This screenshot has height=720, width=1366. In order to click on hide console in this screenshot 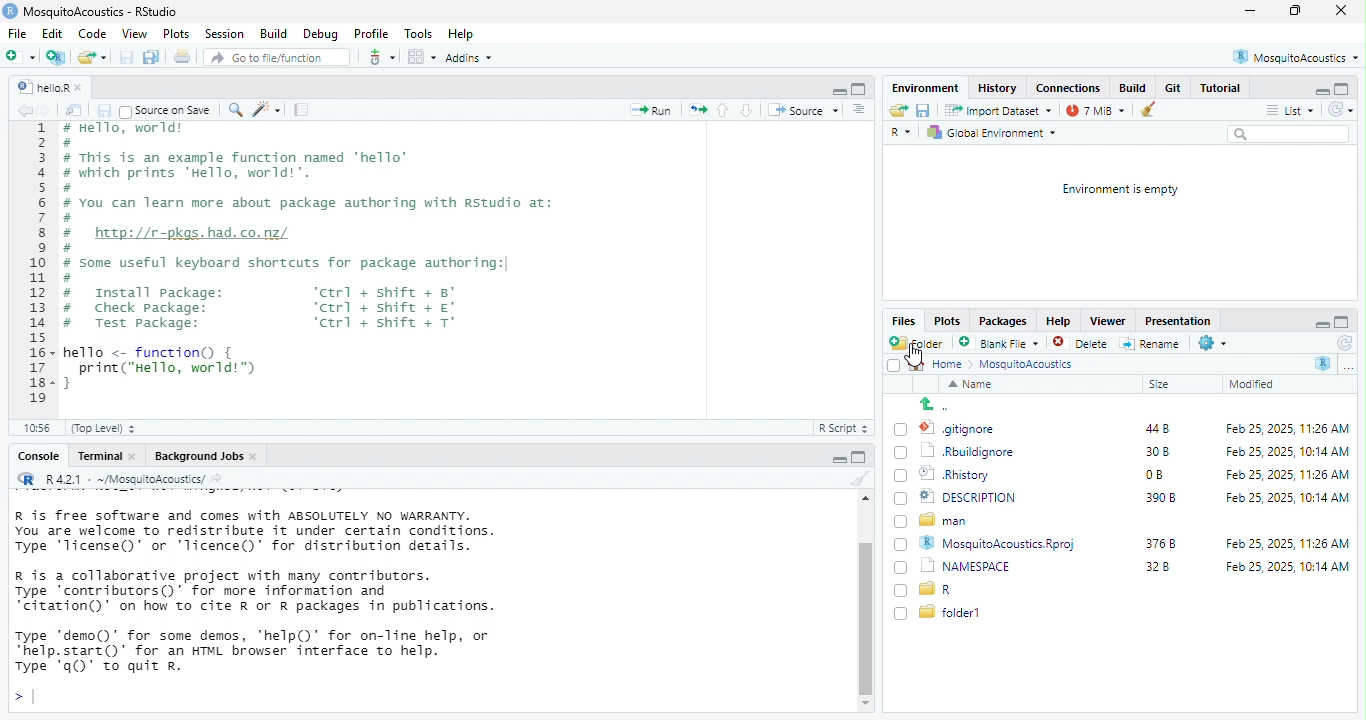, I will do `click(861, 88)`.